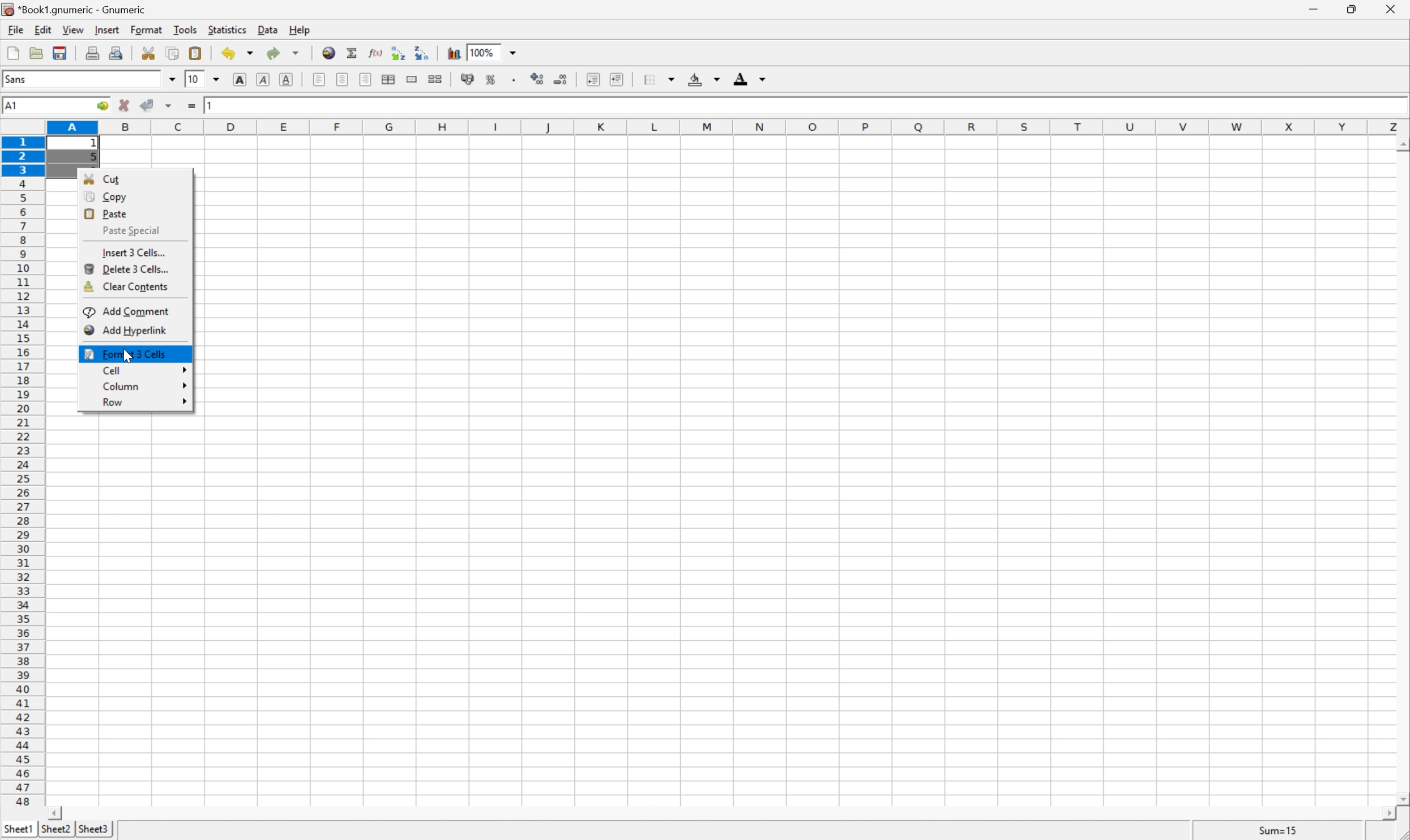  What do you see at coordinates (704, 78) in the screenshot?
I see `background` at bounding box center [704, 78].